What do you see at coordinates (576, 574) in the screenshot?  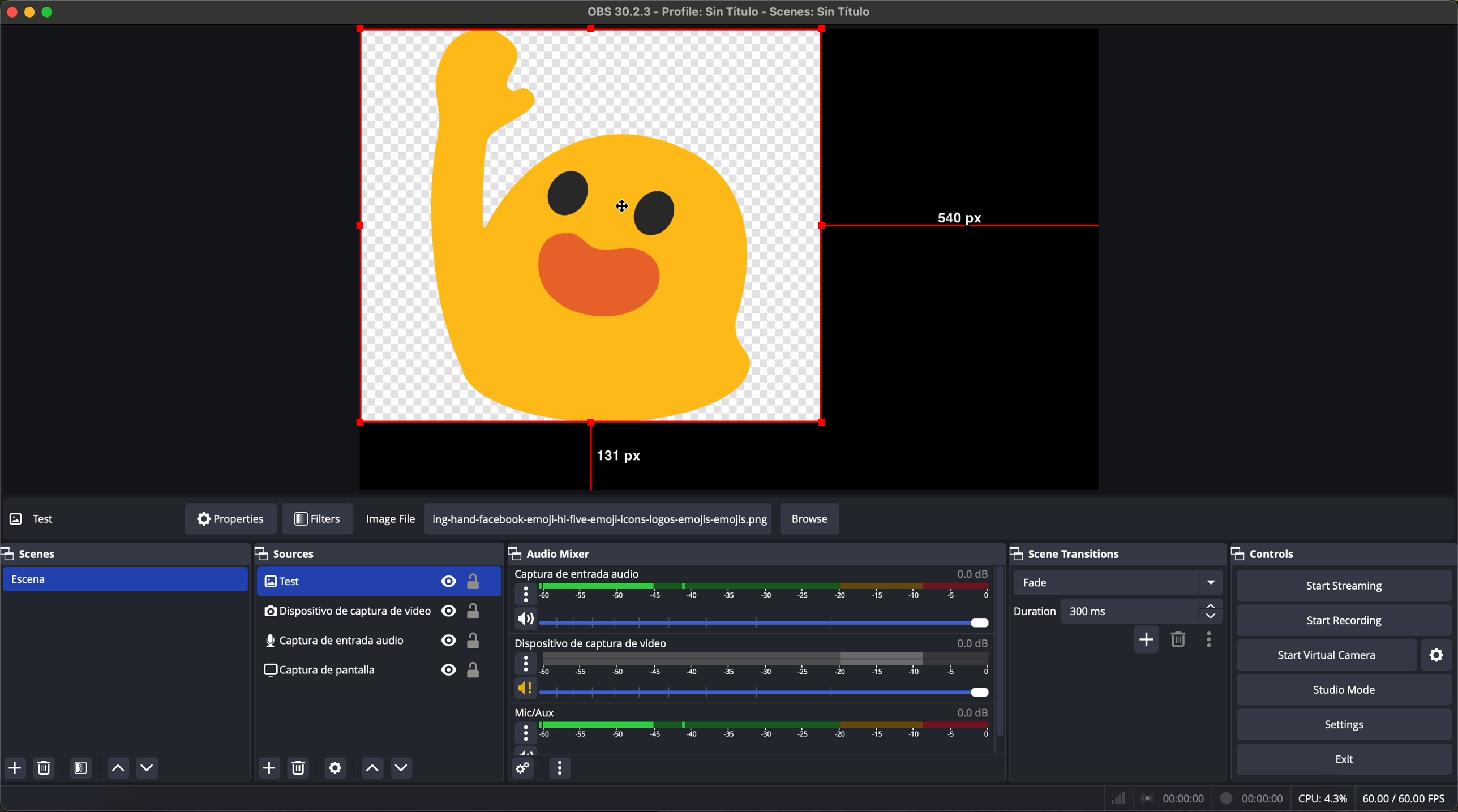 I see `audio input capture` at bounding box center [576, 574].